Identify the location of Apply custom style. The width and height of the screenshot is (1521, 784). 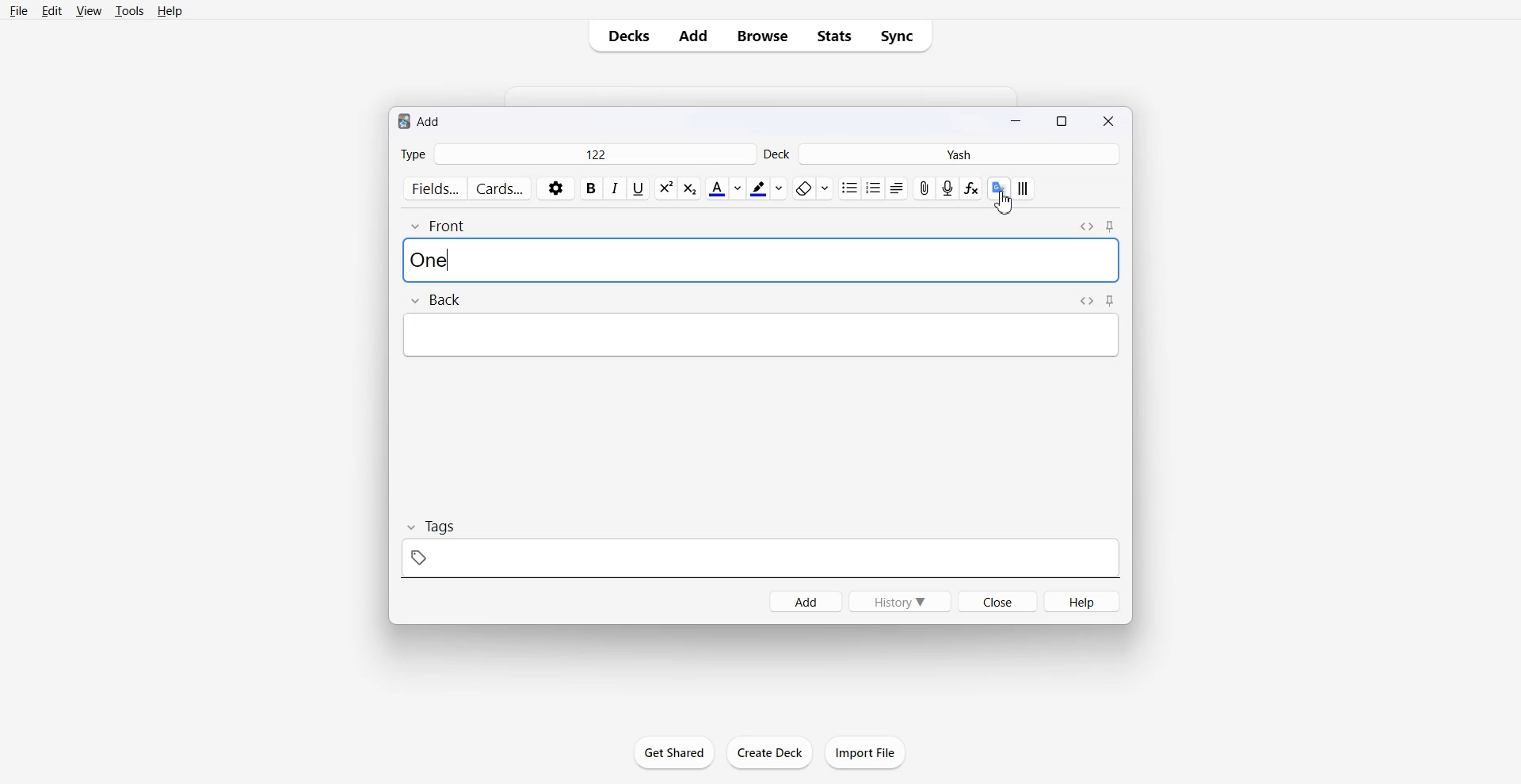
(1023, 188).